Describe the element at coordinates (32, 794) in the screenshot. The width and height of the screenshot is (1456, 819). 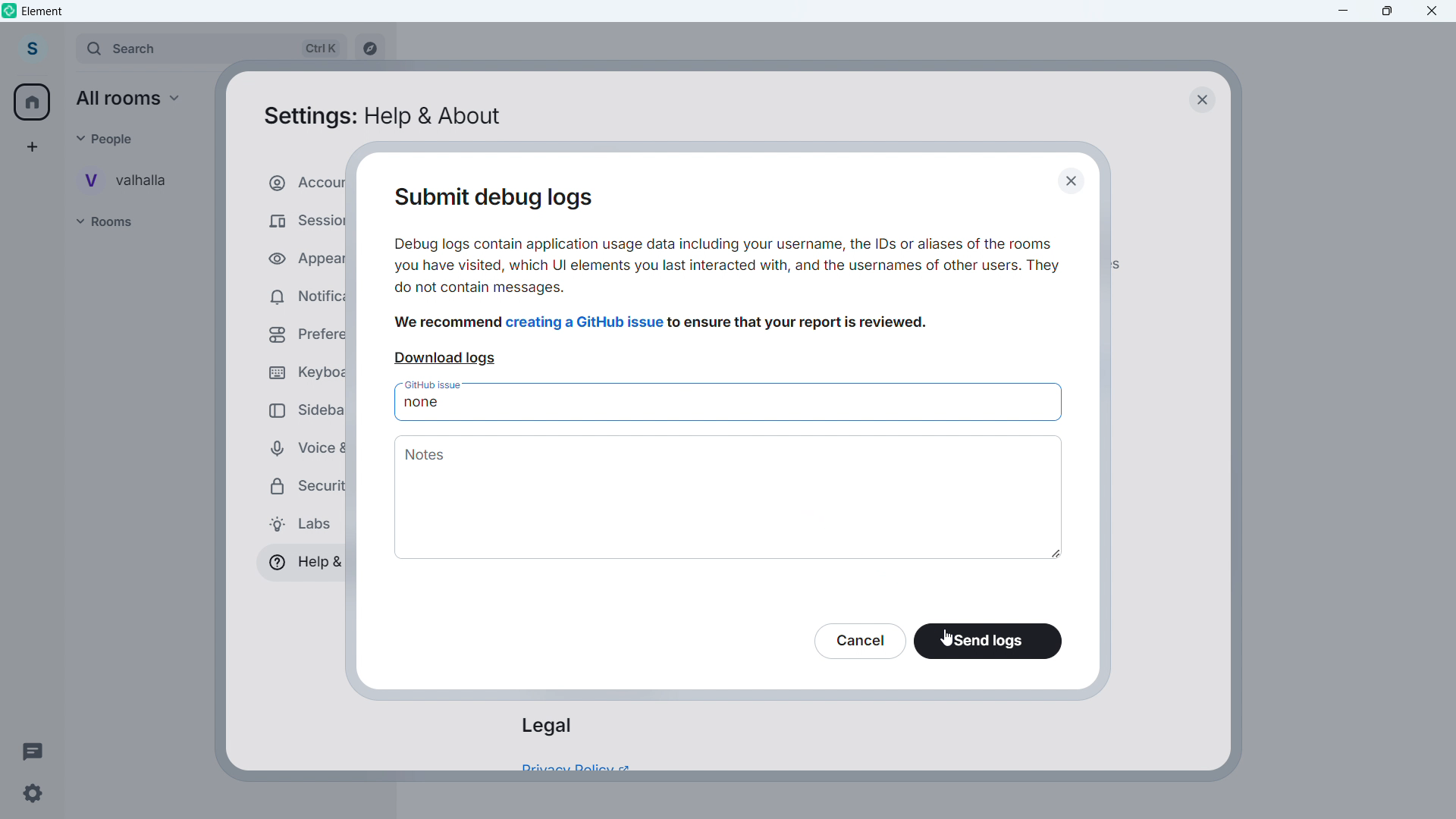
I see `Settings ` at that location.